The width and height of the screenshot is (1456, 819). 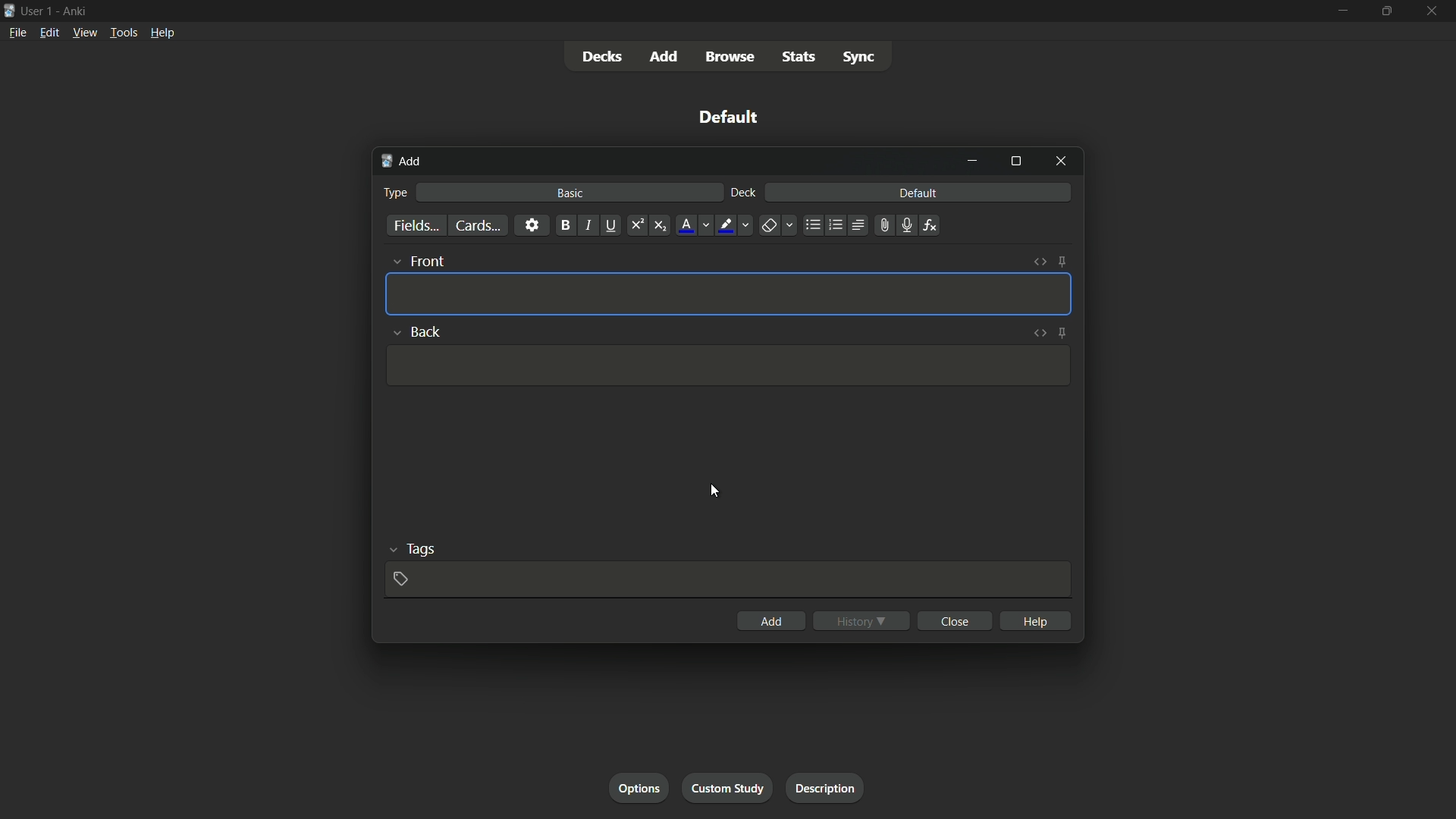 I want to click on Input Template, so click(x=725, y=366).